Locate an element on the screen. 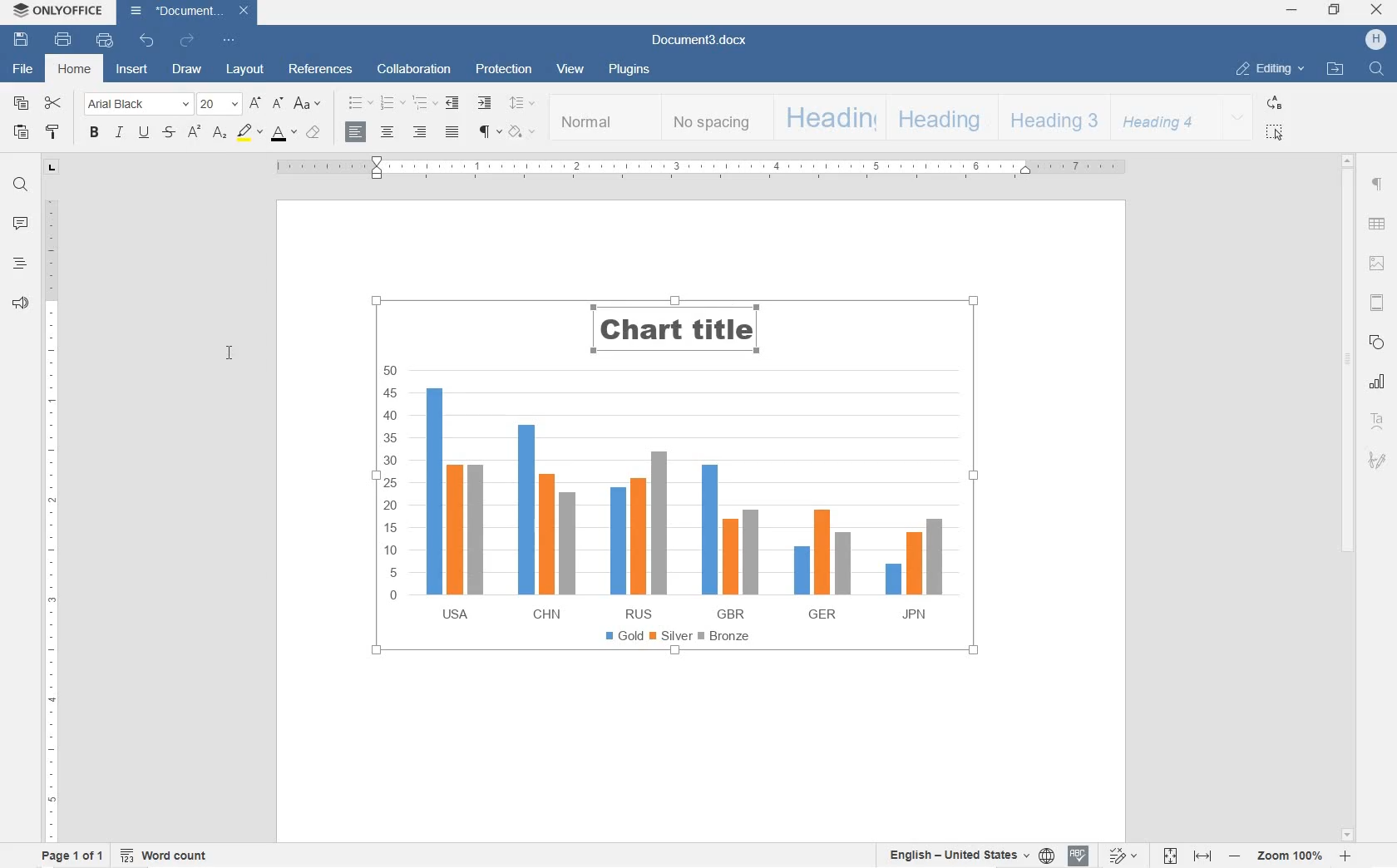  HEADING 1 is located at coordinates (827, 118).